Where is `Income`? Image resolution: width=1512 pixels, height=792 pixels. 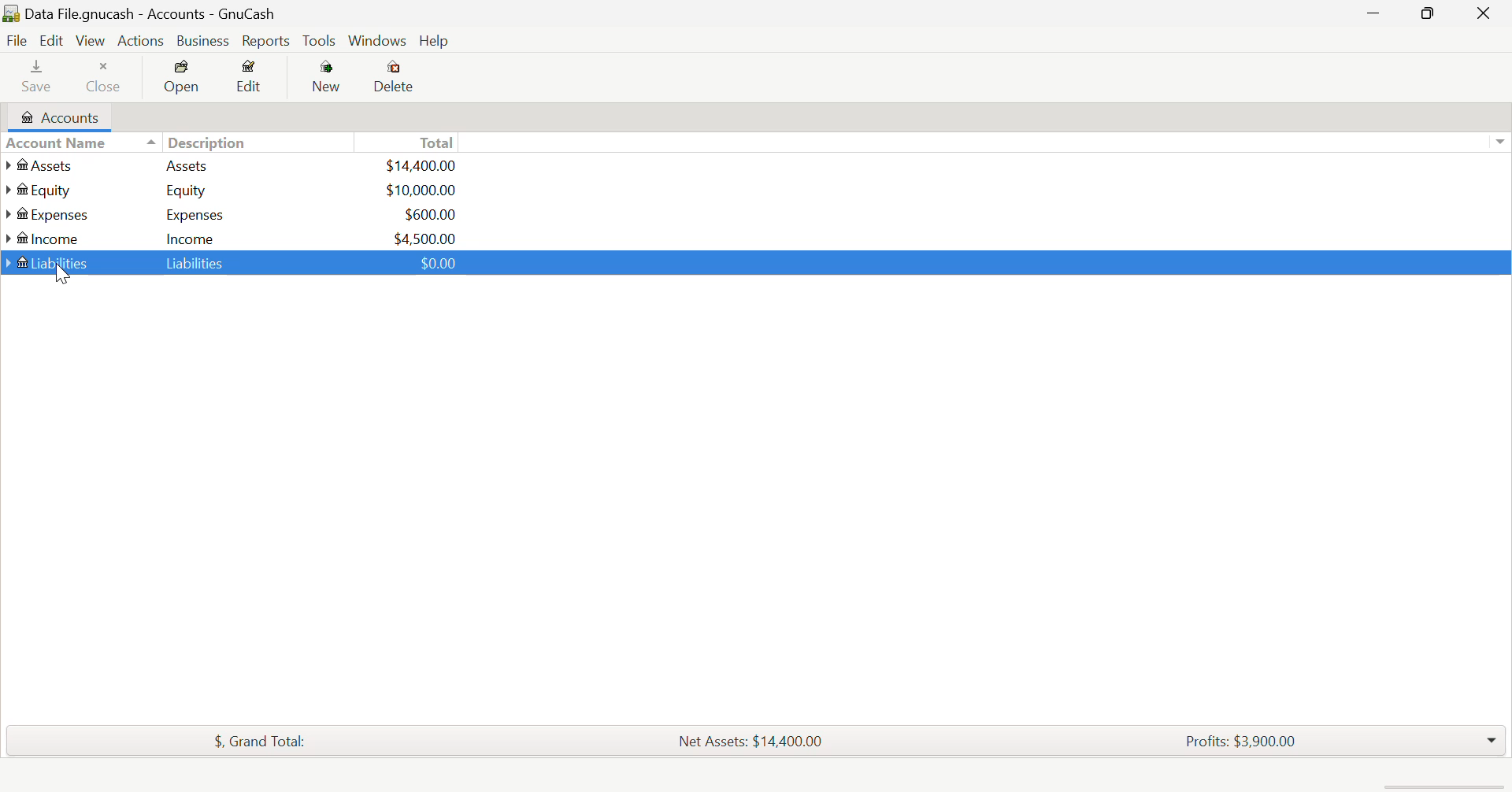 Income is located at coordinates (191, 238).